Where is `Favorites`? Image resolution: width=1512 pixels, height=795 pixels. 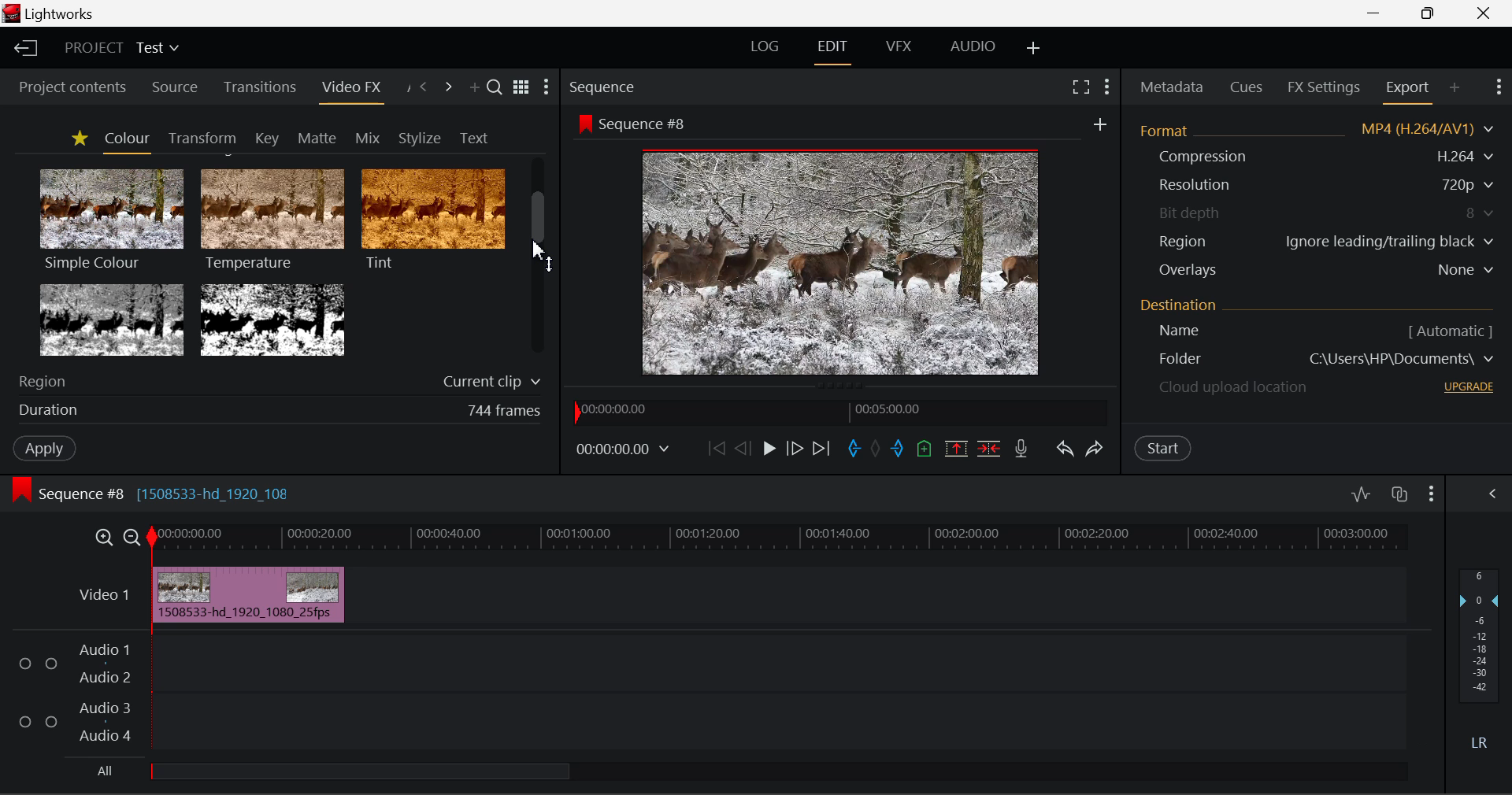 Favorites is located at coordinates (77, 139).